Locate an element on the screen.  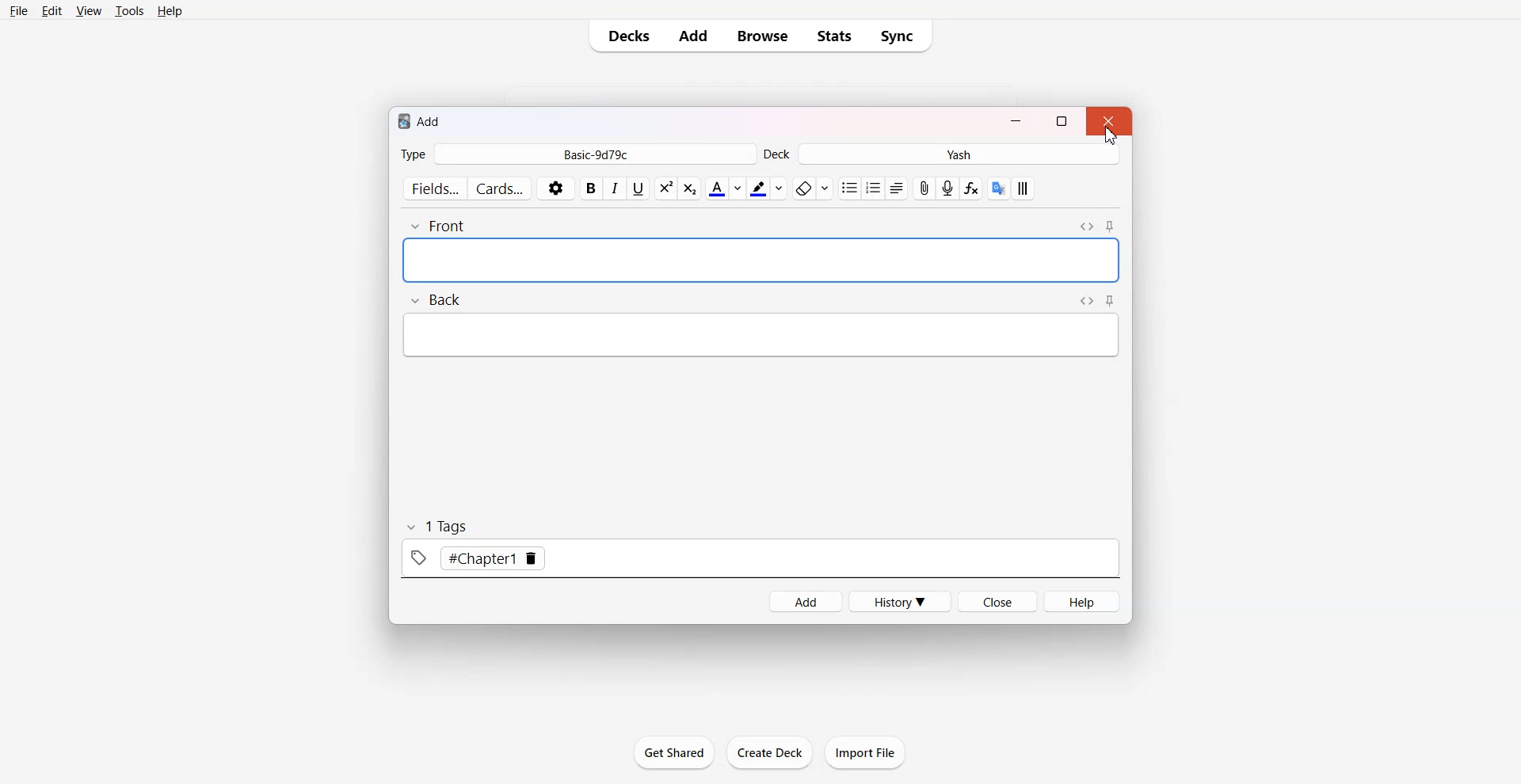
Delete is located at coordinates (533, 559).